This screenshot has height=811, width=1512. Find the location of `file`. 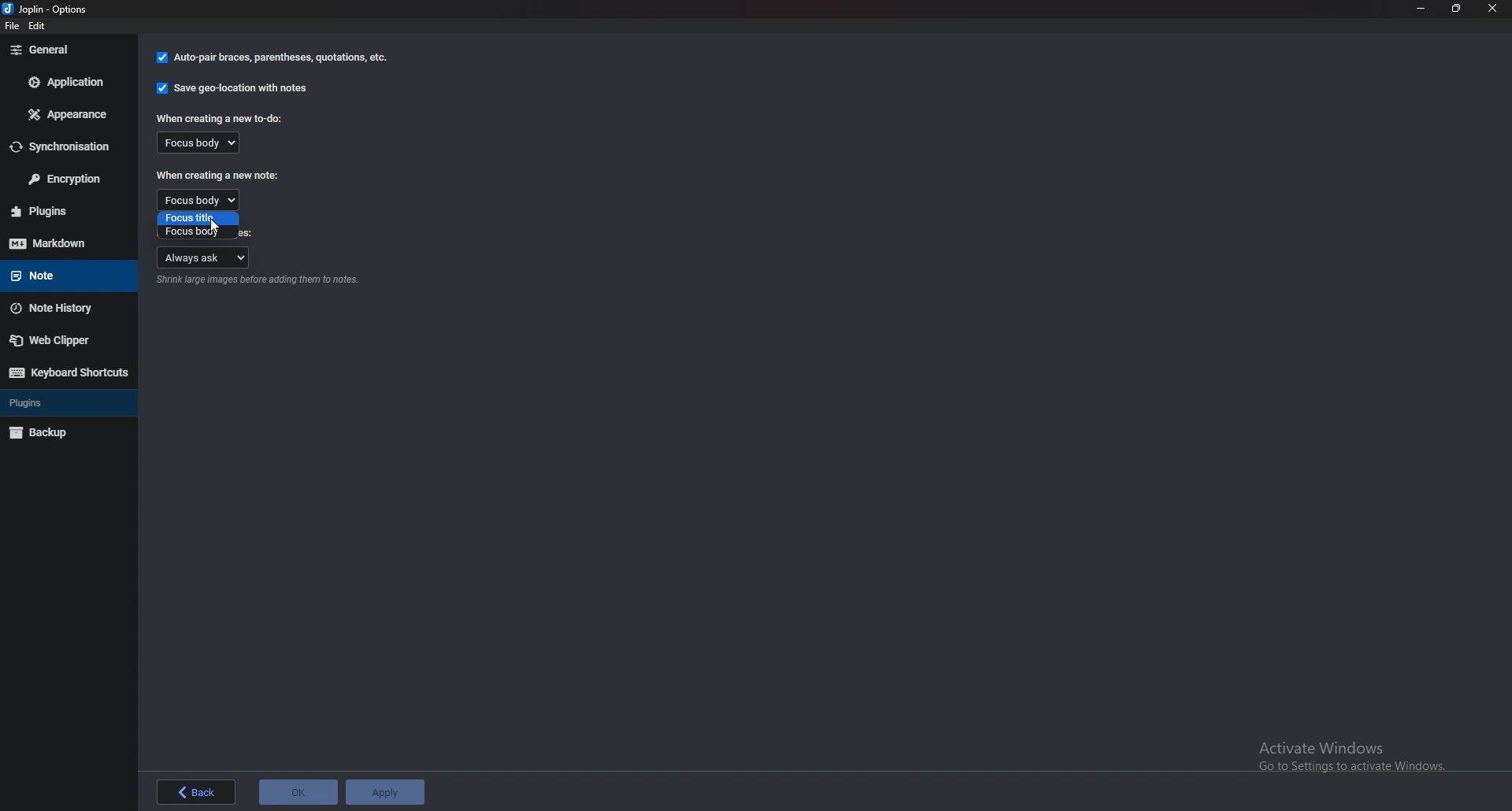

file is located at coordinates (15, 28).